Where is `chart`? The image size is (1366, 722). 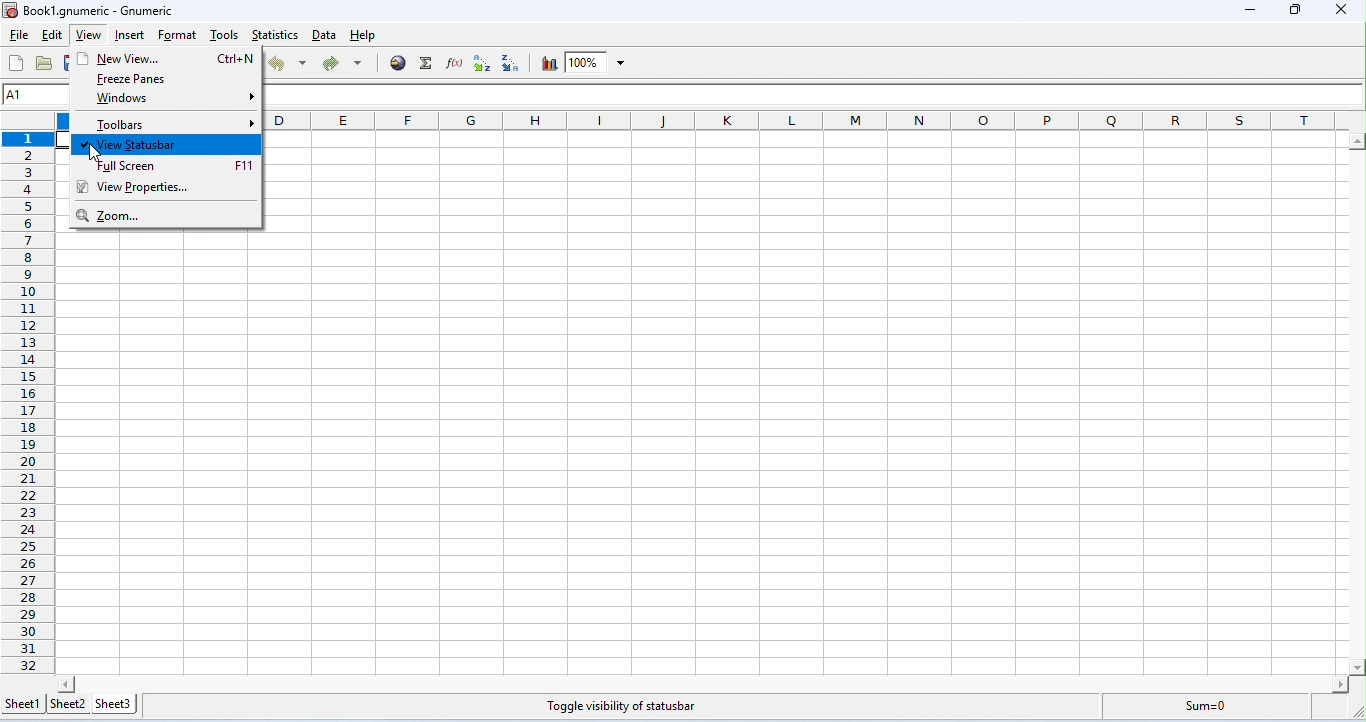
chart is located at coordinates (546, 63).